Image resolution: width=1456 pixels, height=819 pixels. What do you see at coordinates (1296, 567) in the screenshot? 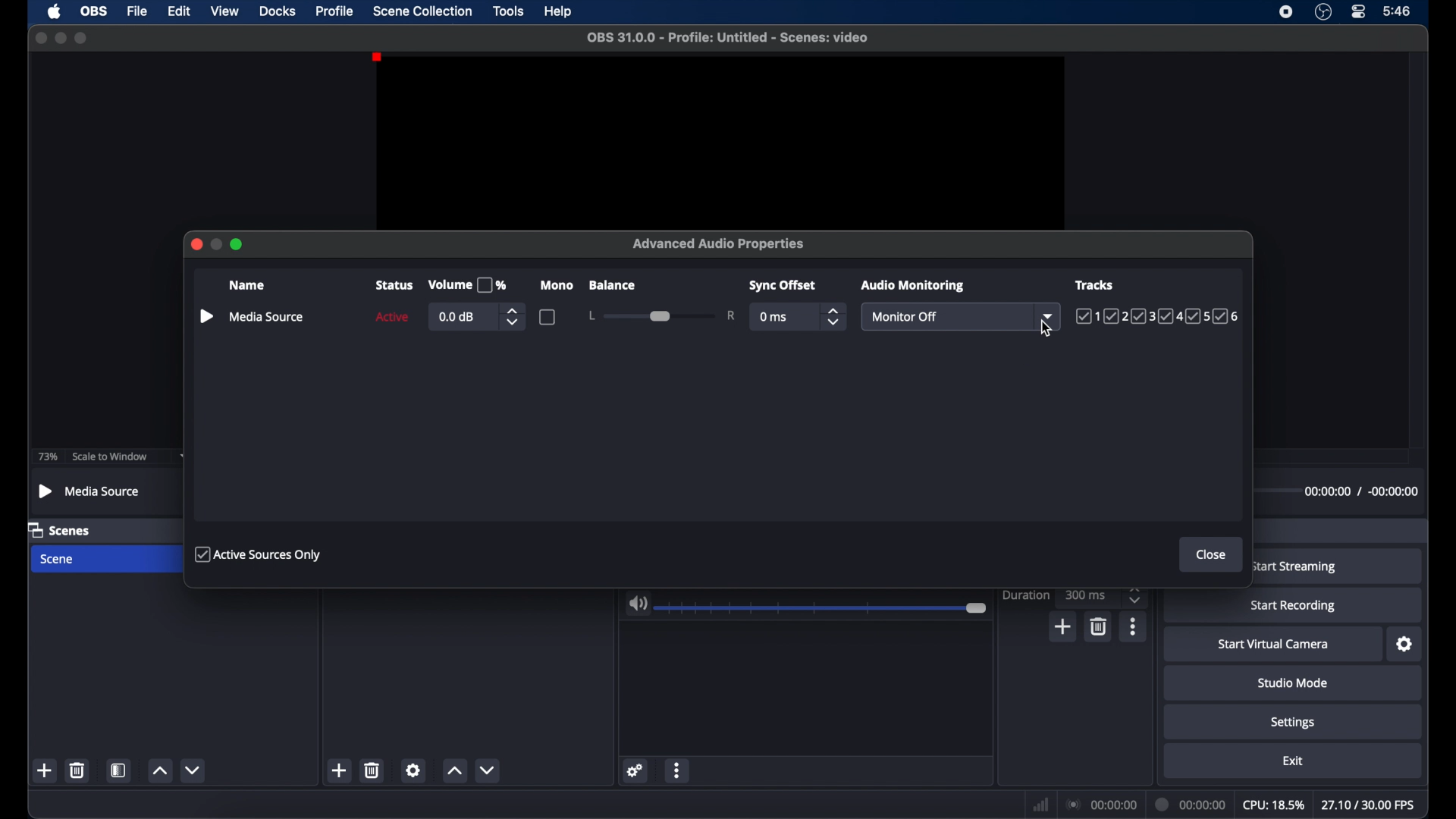
I see `start streaming` at bounding box center [1296, 567].